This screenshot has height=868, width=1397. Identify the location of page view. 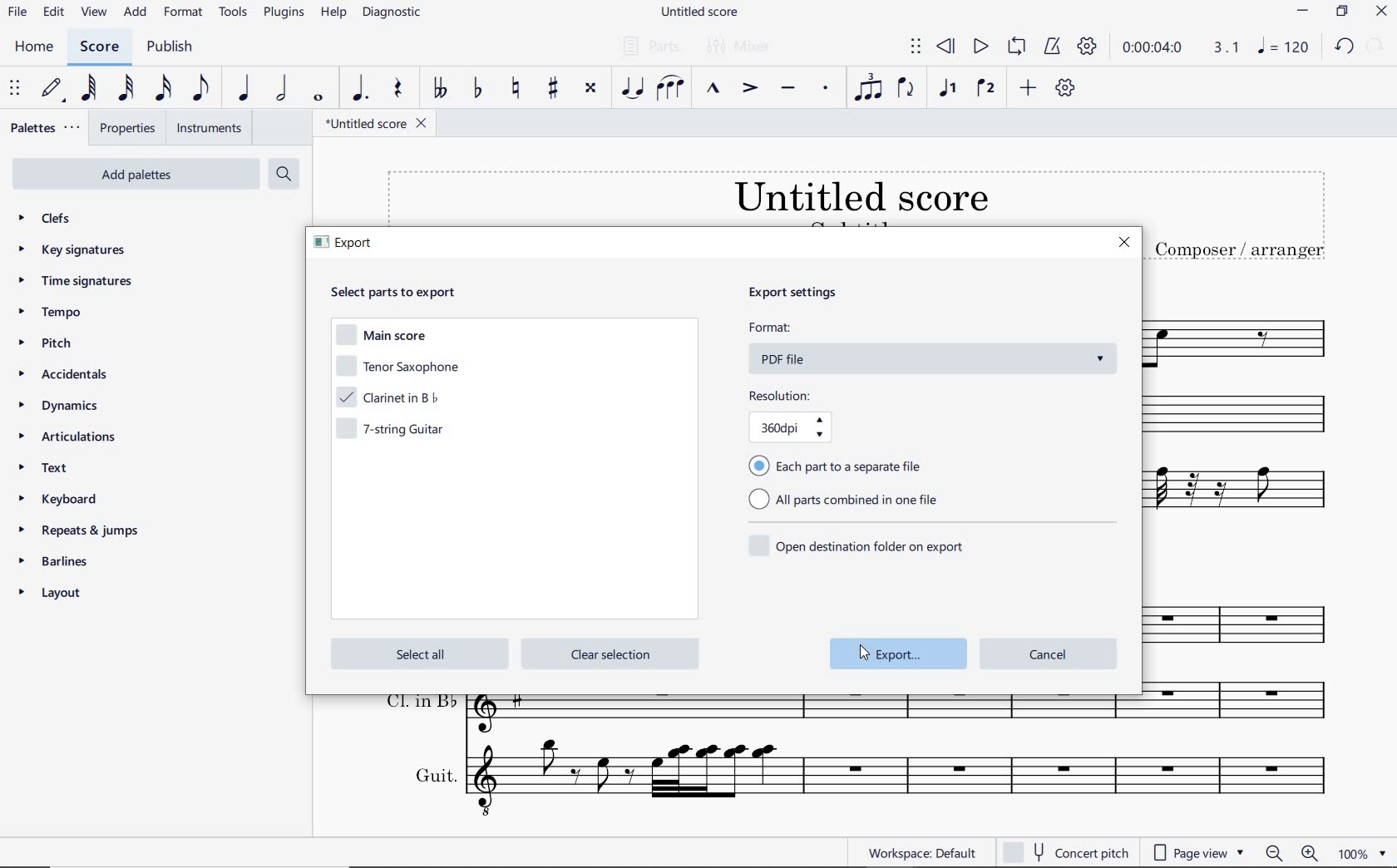
(1197, 851).